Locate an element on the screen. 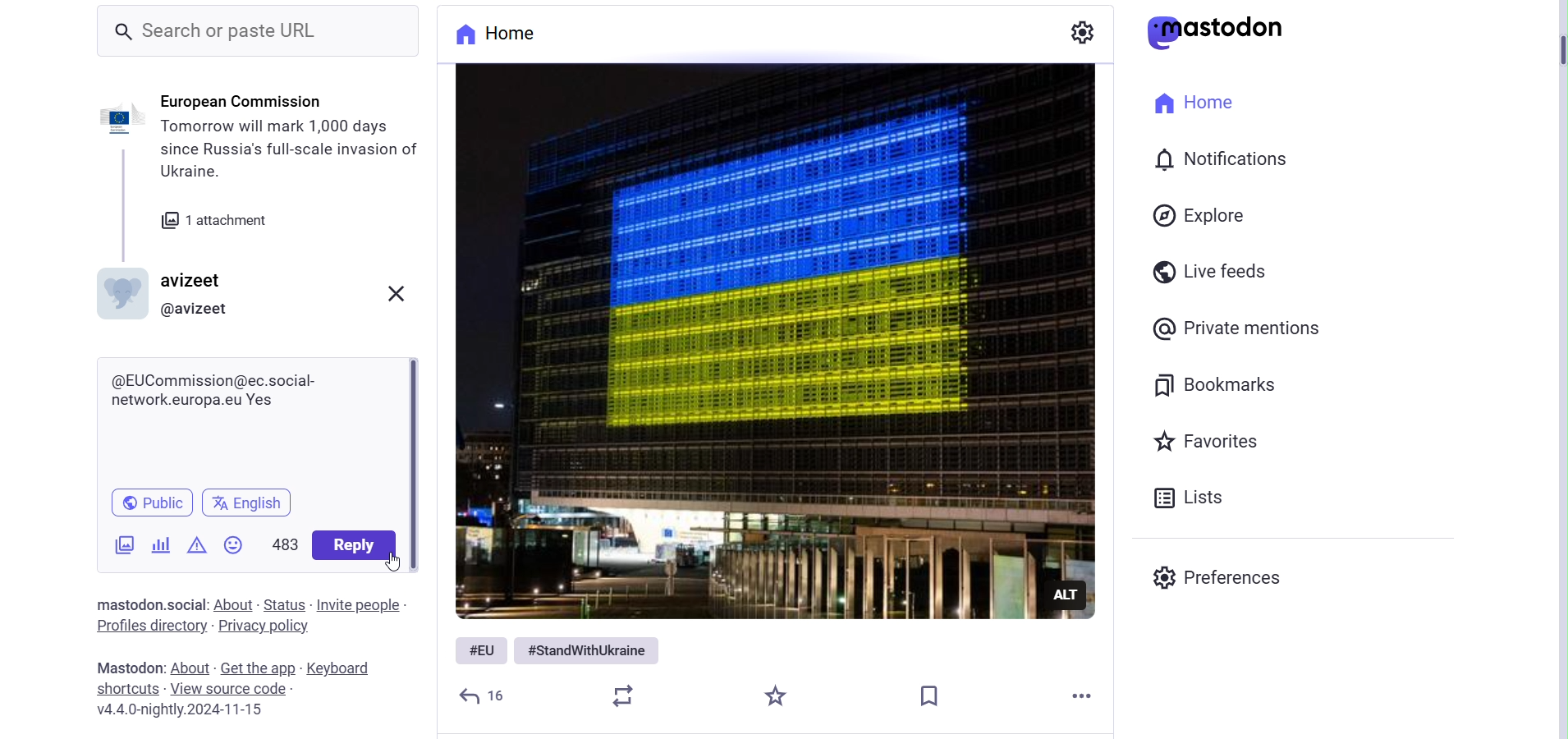  Search is located at coordinates (260, 32).